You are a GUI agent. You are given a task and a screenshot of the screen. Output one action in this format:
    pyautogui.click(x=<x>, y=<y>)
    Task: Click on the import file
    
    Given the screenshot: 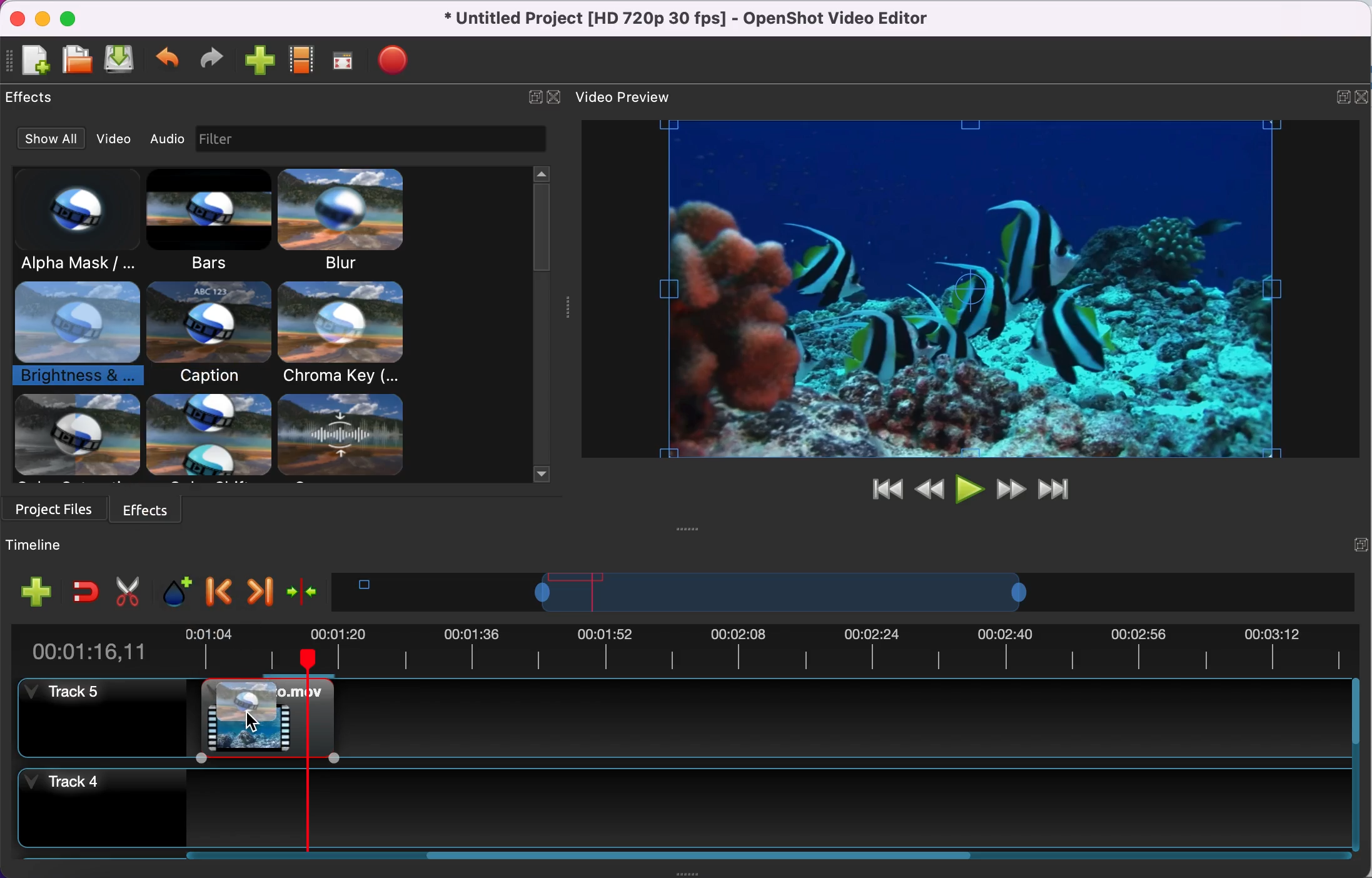 What is the action you would take?
    pyautogui.click(x=258, y=62)
    